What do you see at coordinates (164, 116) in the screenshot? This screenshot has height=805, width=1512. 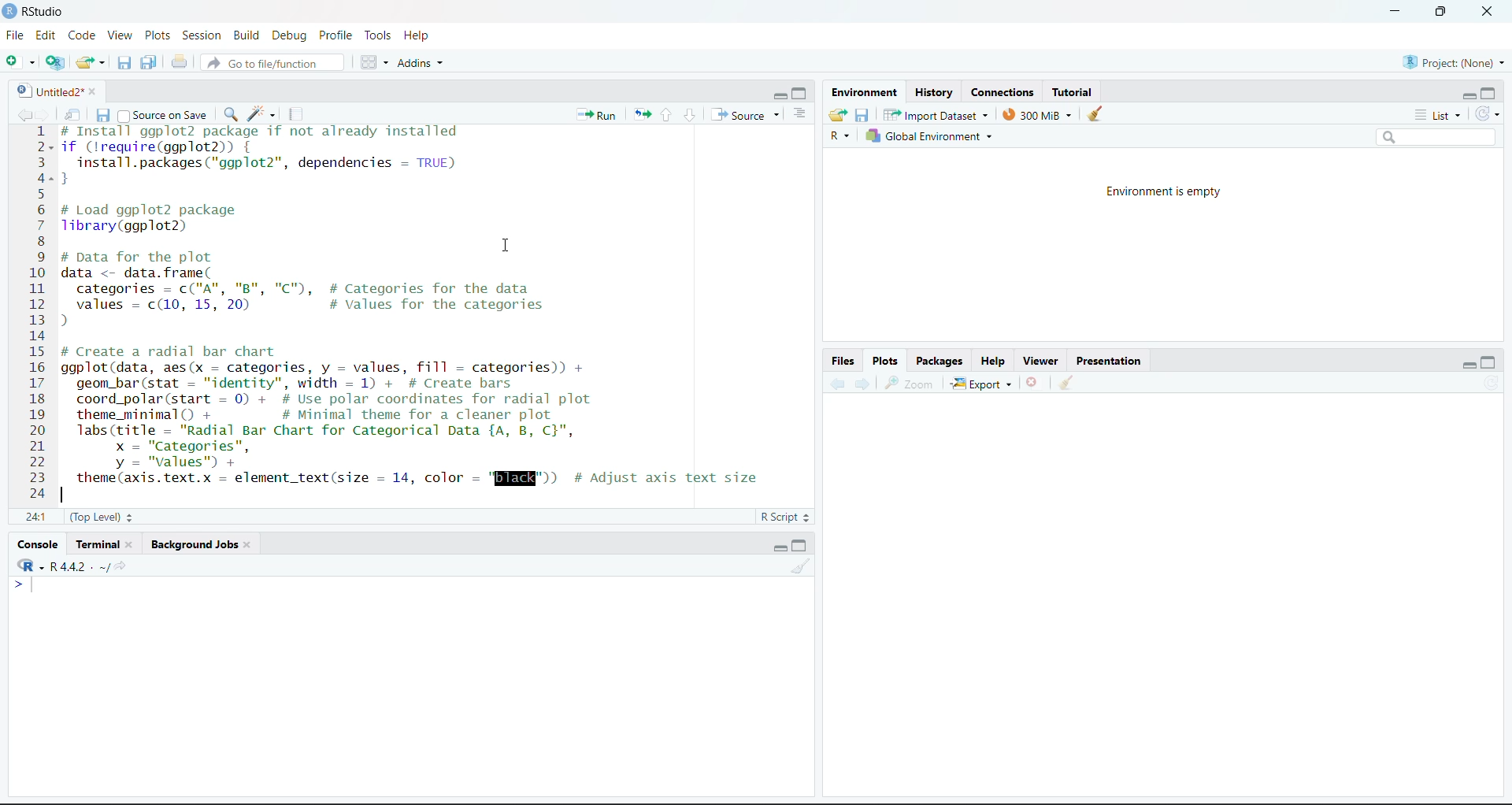 I see `Source on Save` at bounding box center [164, 116].